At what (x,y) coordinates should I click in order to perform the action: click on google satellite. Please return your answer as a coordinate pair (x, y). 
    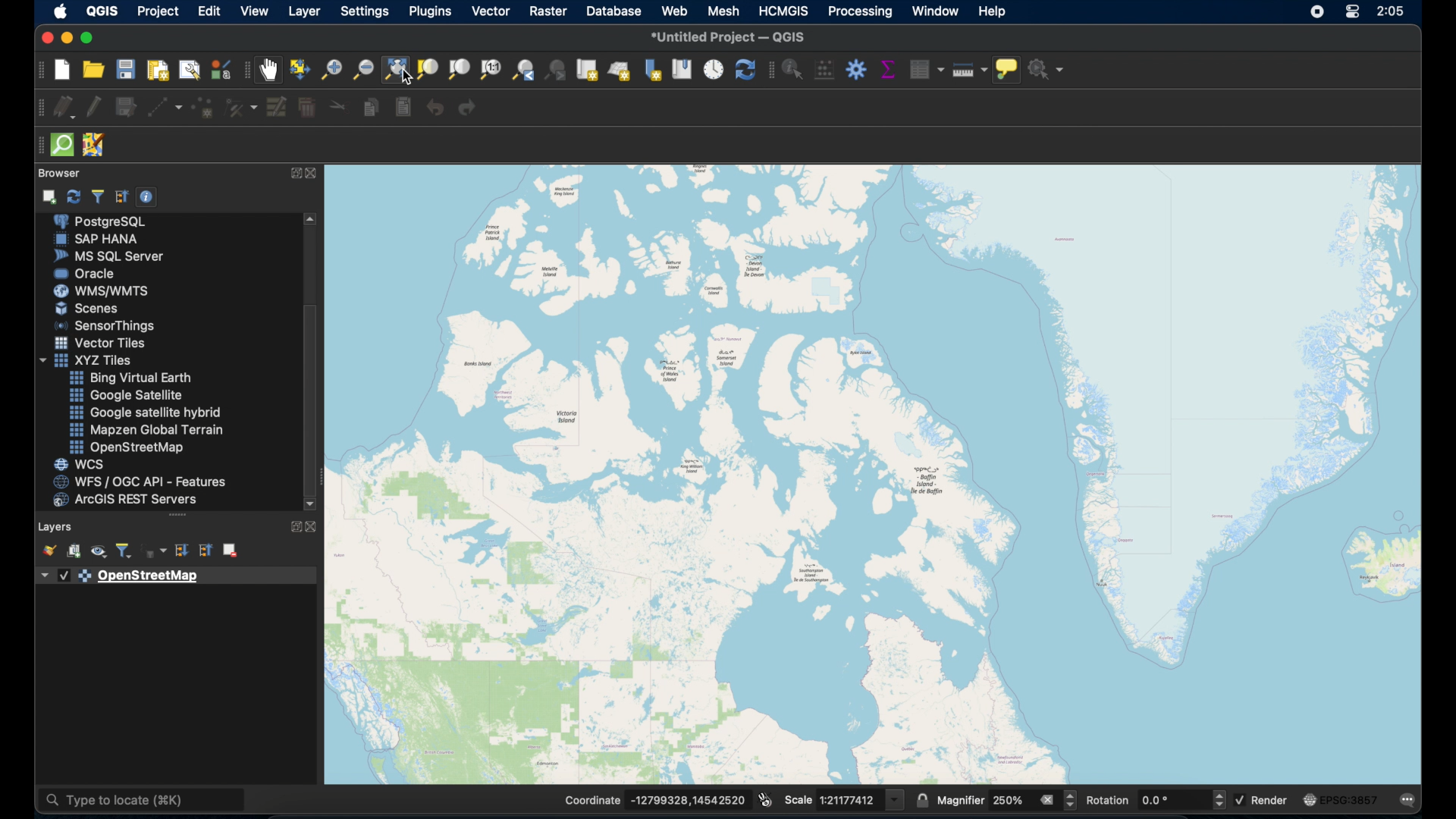
    Looking at the image, I should click on (127, 395).